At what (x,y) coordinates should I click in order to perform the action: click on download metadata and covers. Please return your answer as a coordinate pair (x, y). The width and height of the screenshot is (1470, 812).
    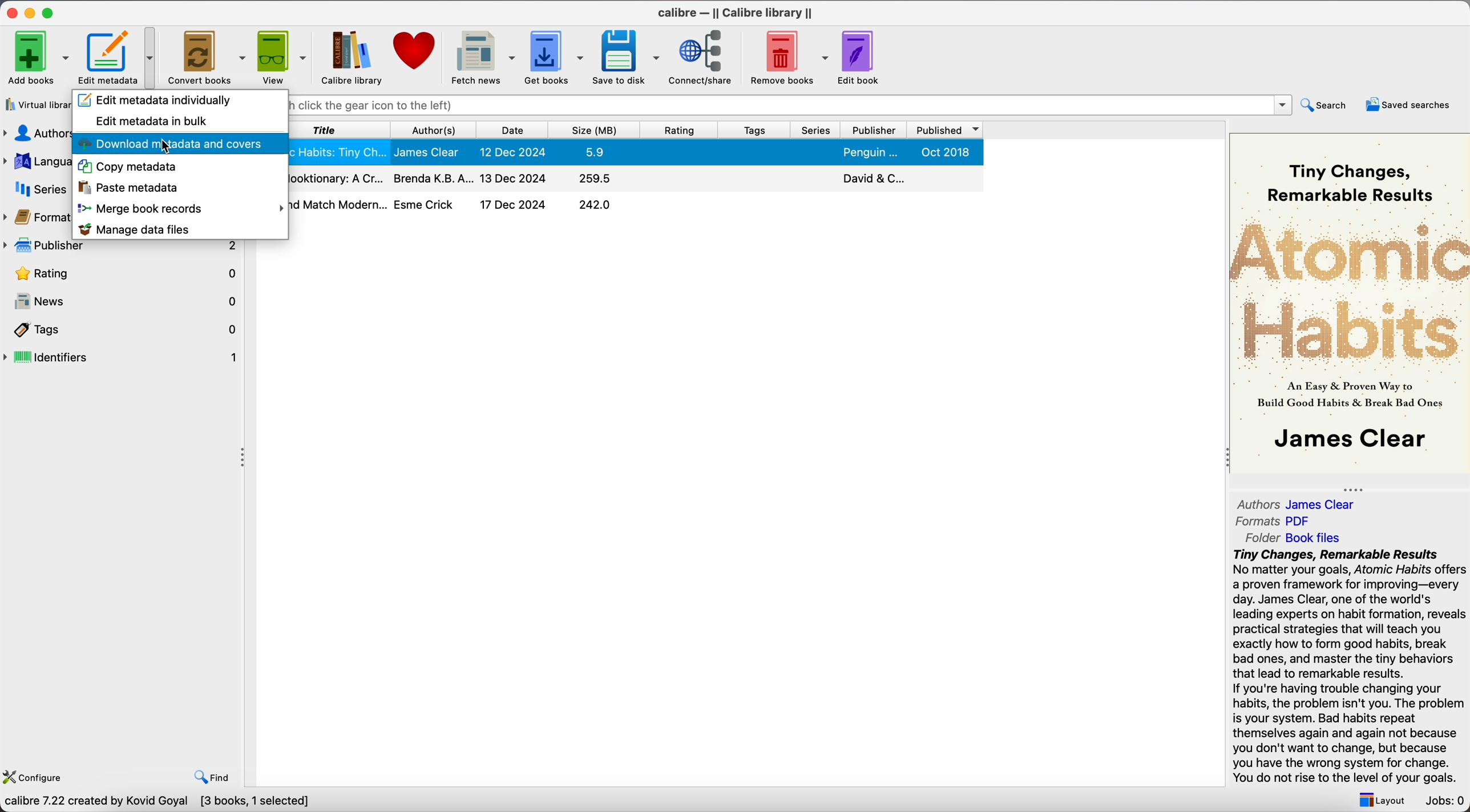
    Looking at the image, I should click on (179, 144).